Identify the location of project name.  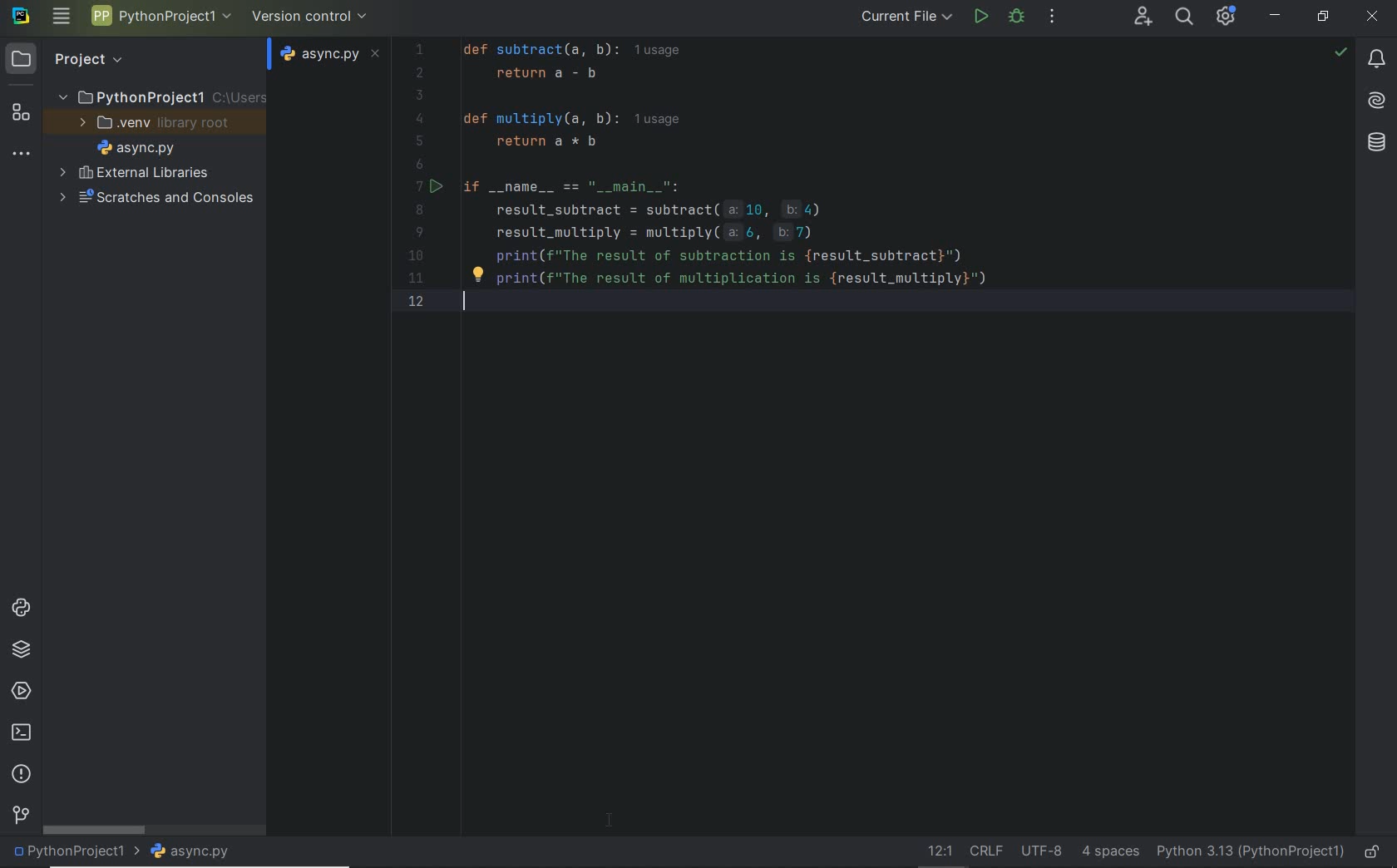
(75, 852).